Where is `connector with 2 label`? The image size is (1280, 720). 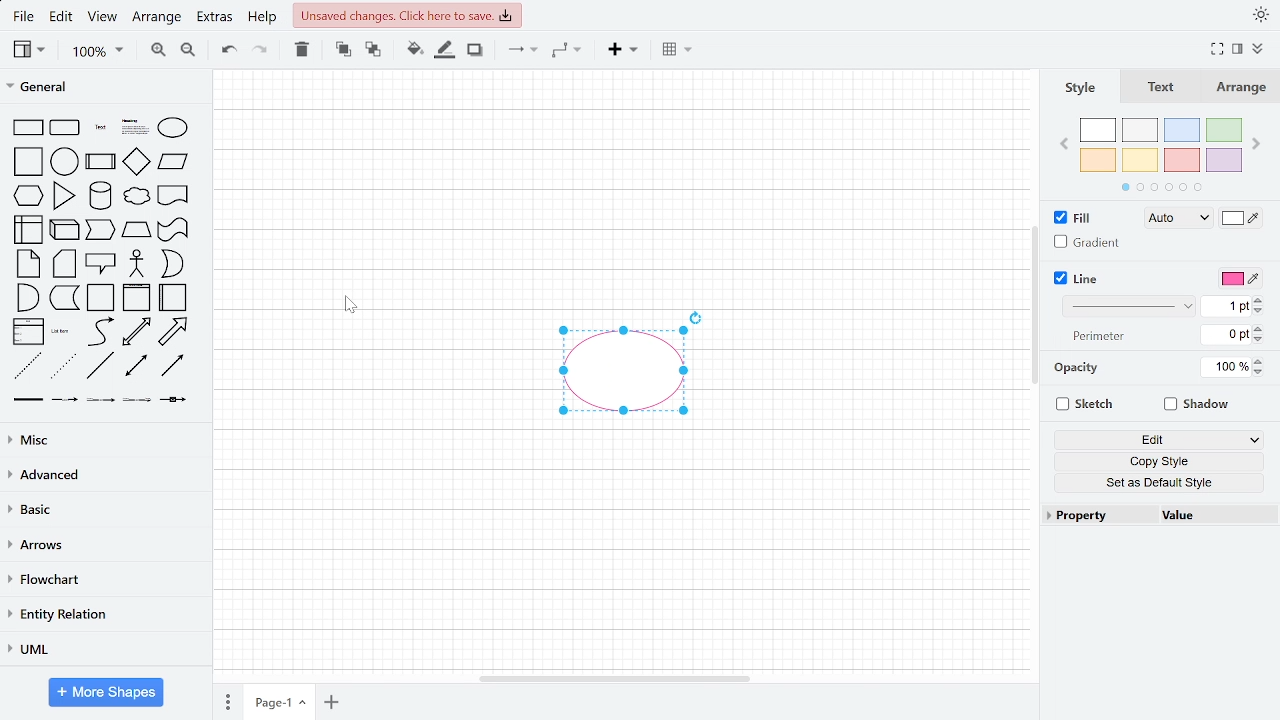
connector with 2 label is located at coordinates (101, 402).